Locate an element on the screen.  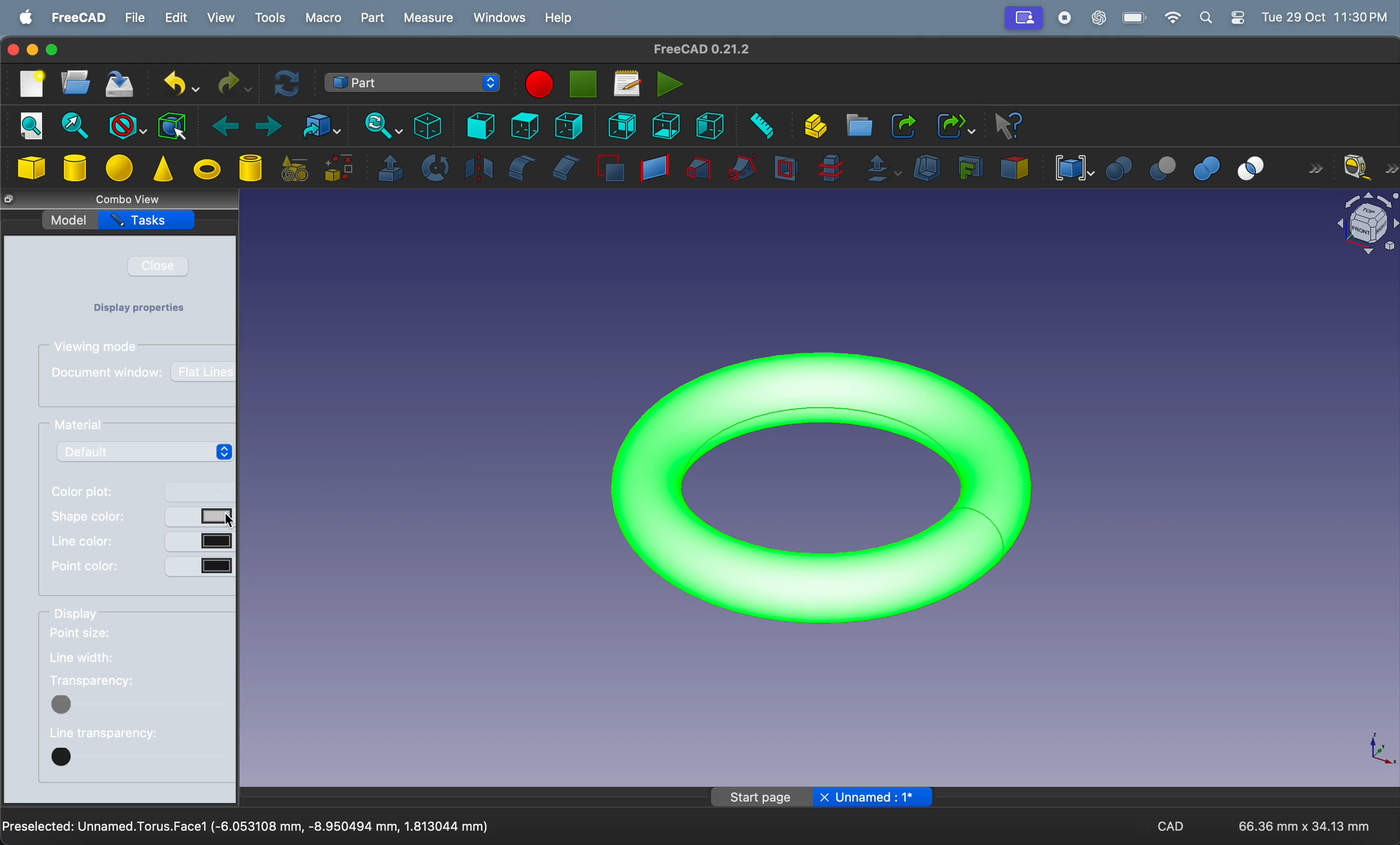
free cad is located at coordinates (79, 19).